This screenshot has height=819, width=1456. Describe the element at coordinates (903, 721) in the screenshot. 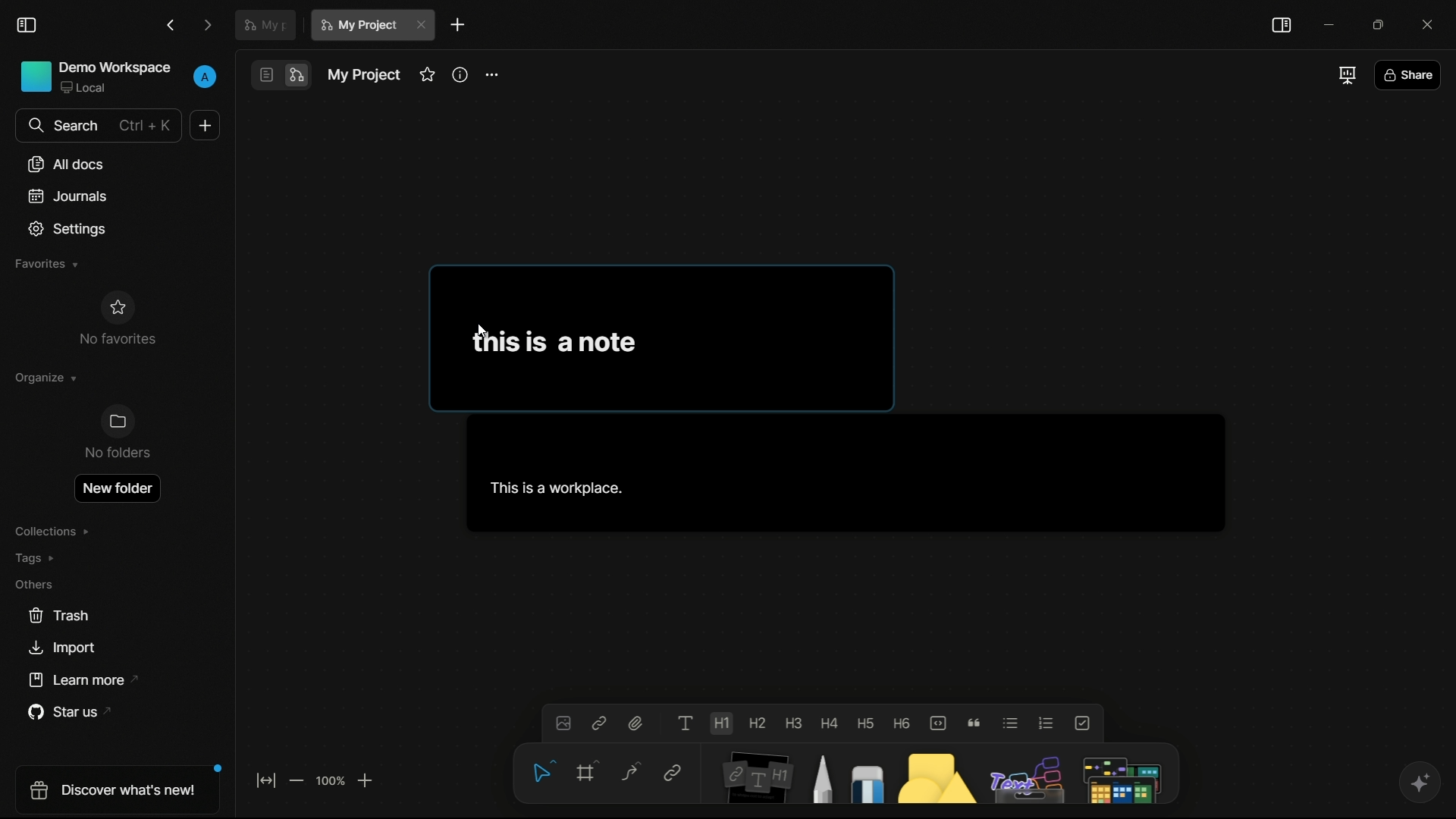

I see `heading 6` at that location.